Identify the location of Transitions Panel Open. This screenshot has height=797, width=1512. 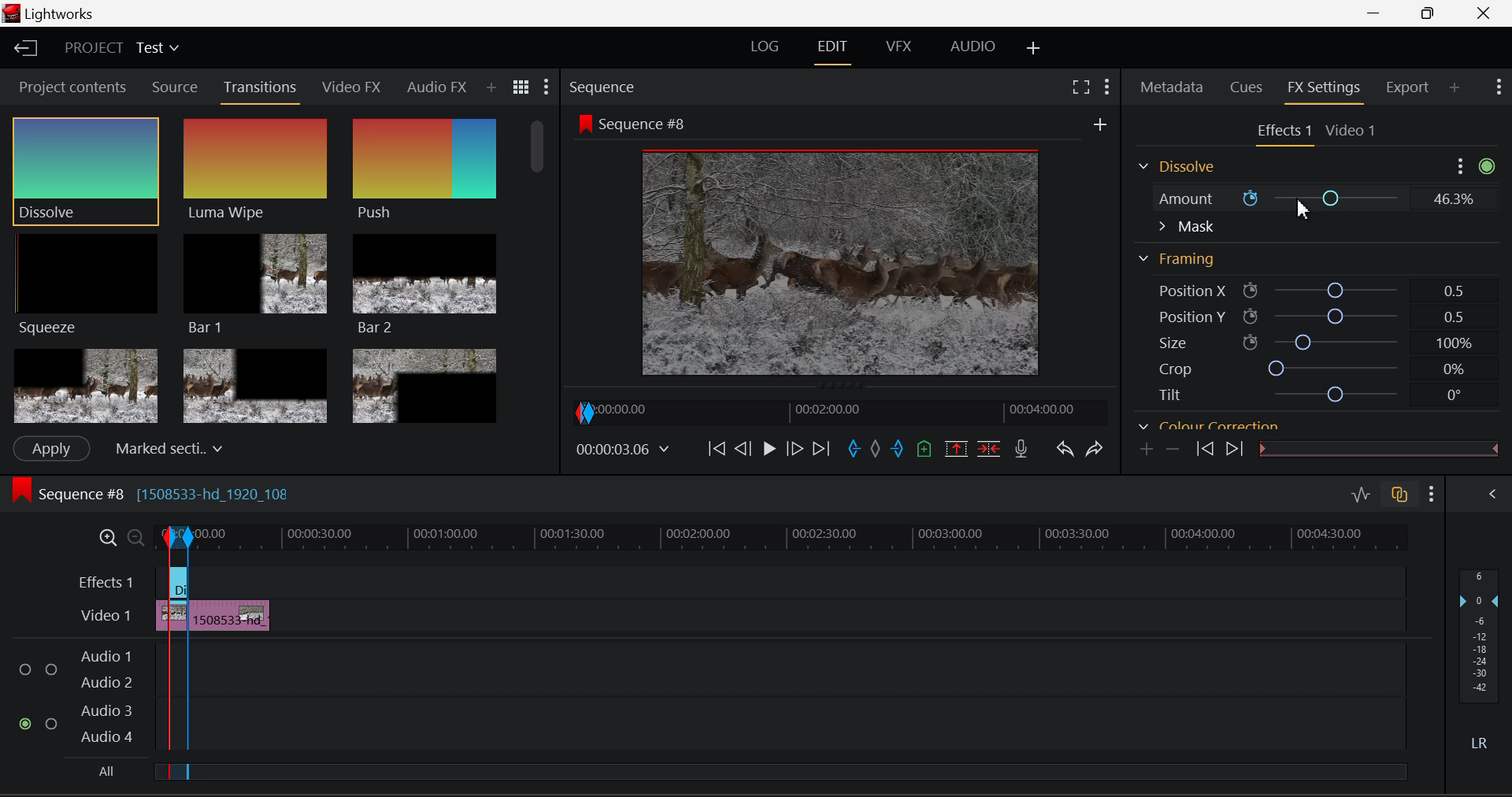
(261, 91).